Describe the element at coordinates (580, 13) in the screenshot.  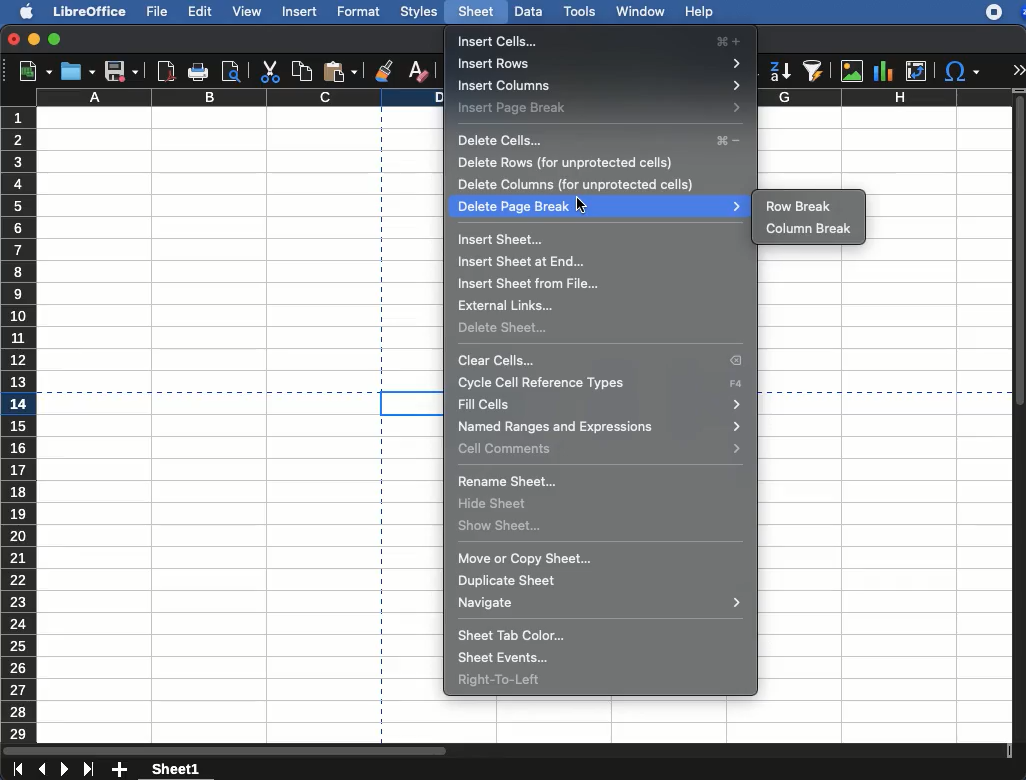
I see `tools` at that location.